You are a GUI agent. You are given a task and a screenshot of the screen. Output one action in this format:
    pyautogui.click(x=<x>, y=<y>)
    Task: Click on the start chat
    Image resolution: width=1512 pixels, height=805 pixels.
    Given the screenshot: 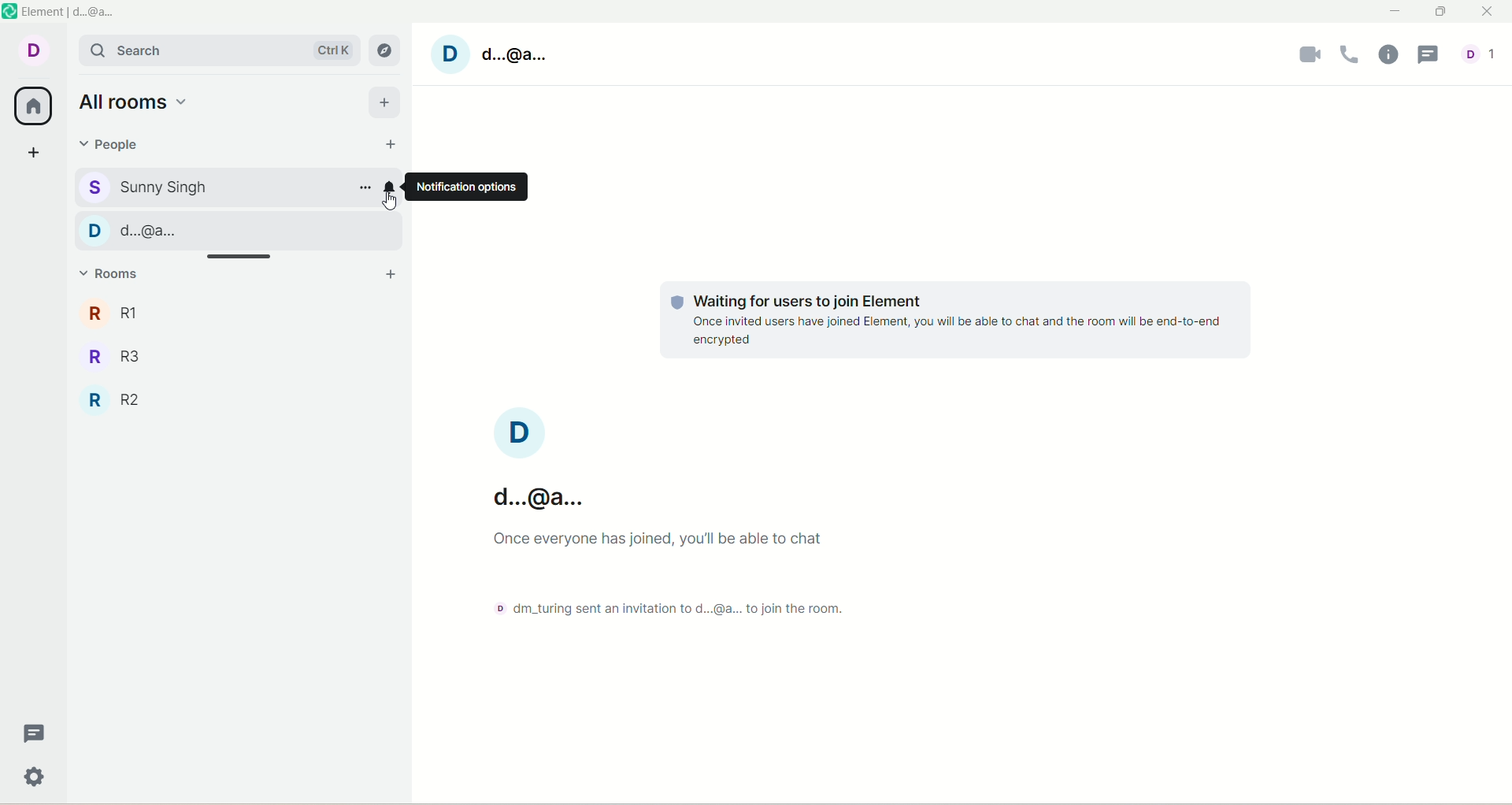 What is the action you would take?
    pyautogui.click(x=395, y=146)
    